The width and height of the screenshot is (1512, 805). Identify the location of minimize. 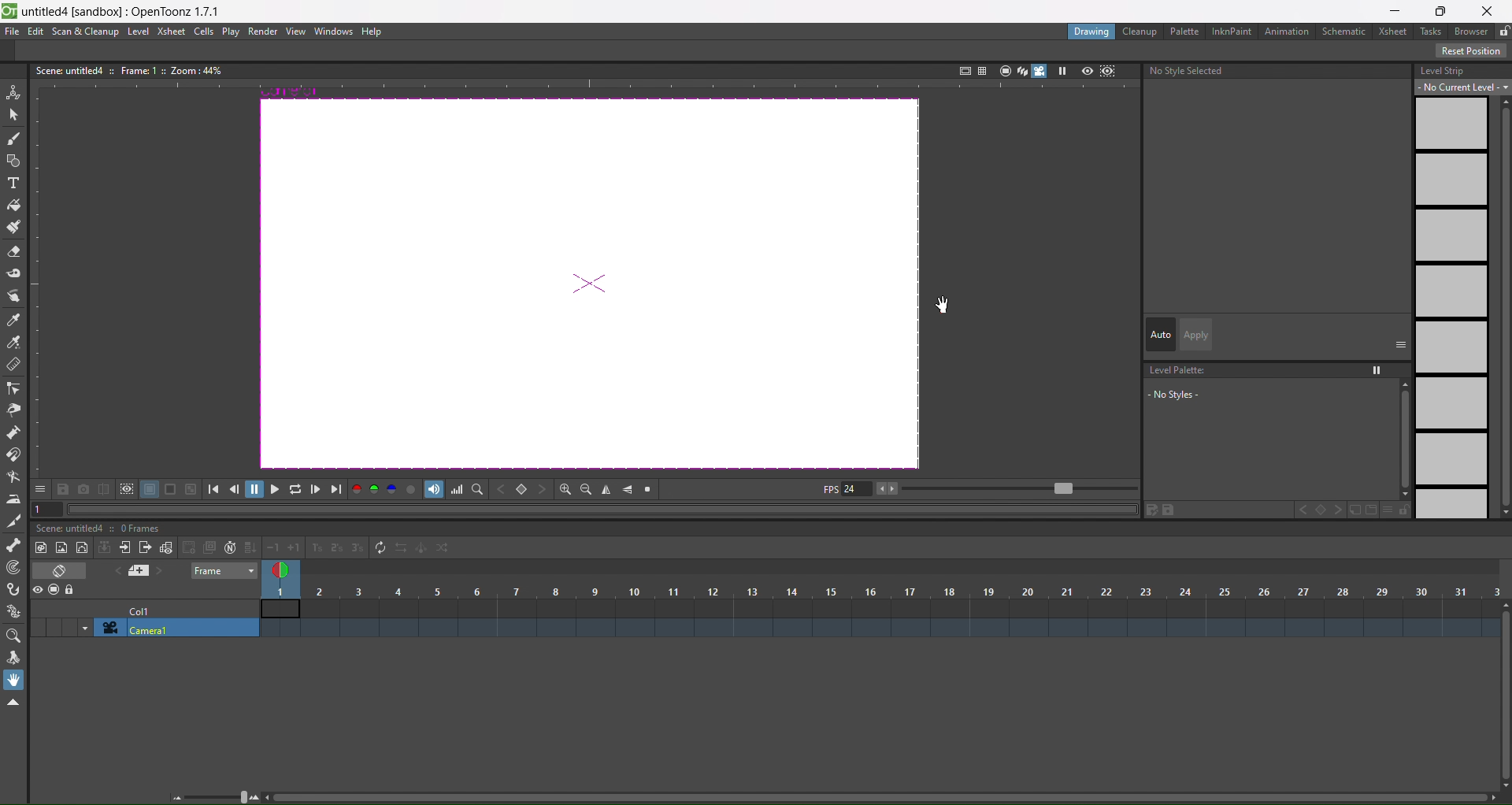
(1394, 11).